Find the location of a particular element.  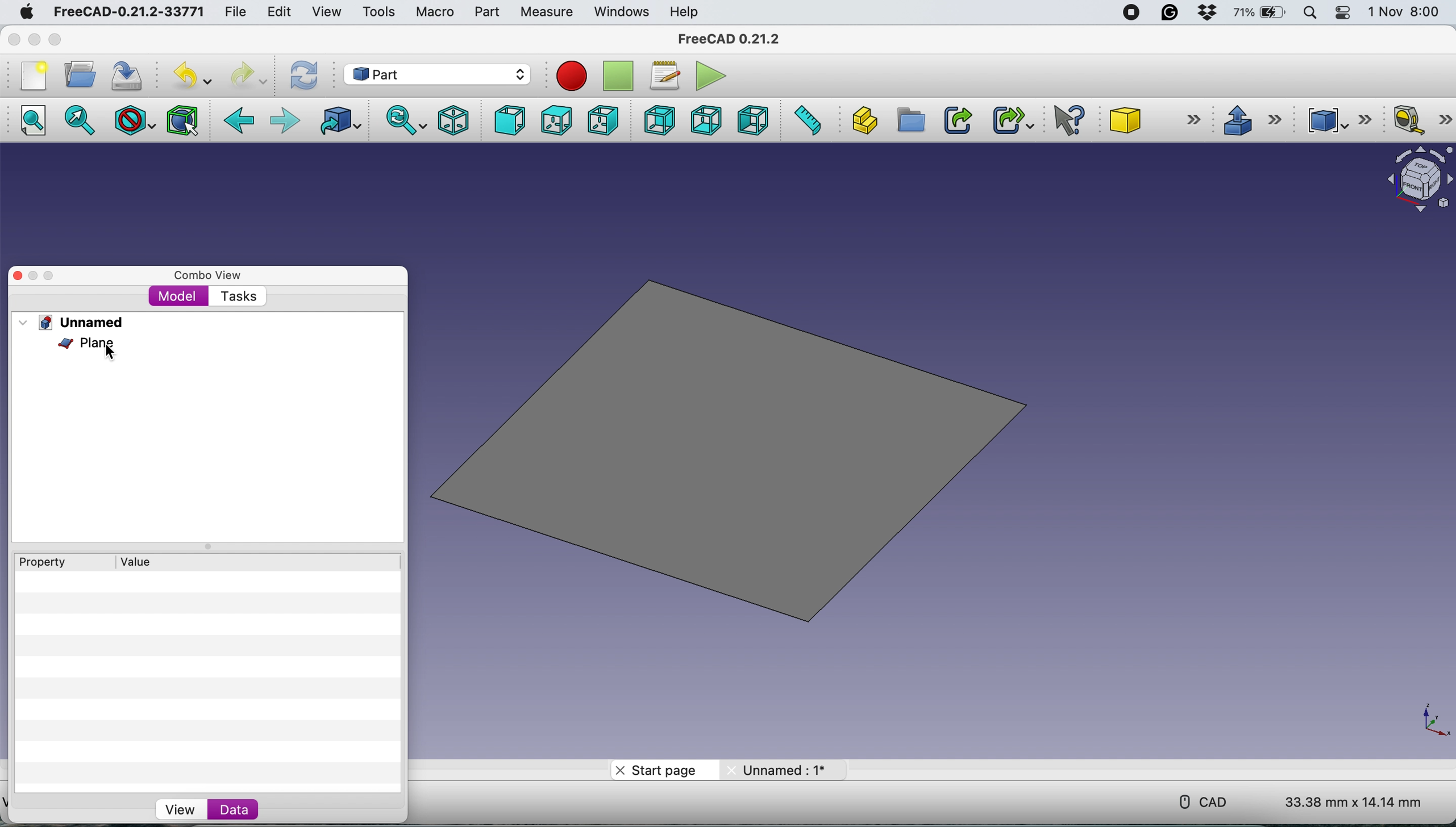

system logo is located at coordinates (26, 12).